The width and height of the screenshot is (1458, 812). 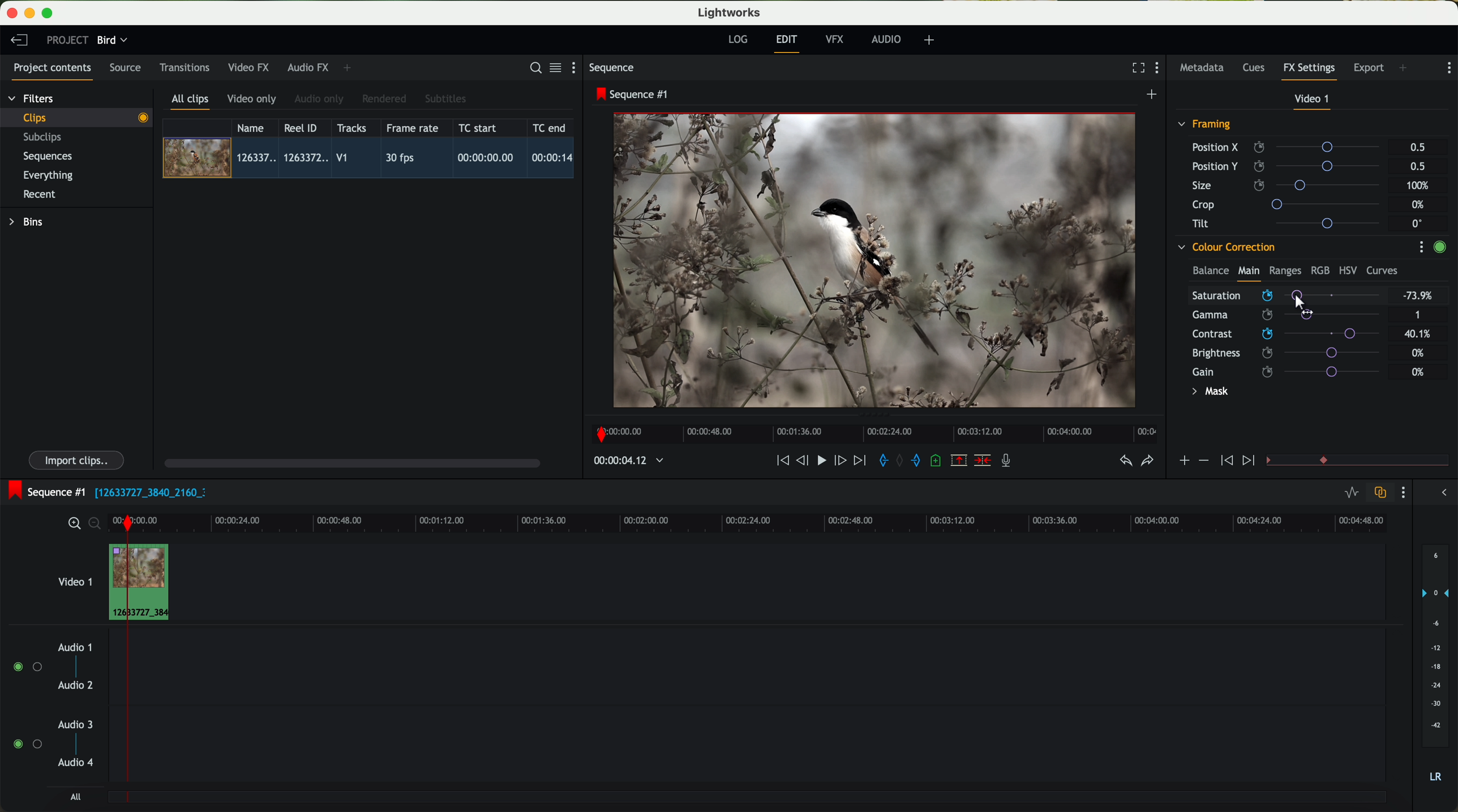 What do you see at coordinates (737, 40) in the screenshot?
I see `log` at bounding box center [737, 40].